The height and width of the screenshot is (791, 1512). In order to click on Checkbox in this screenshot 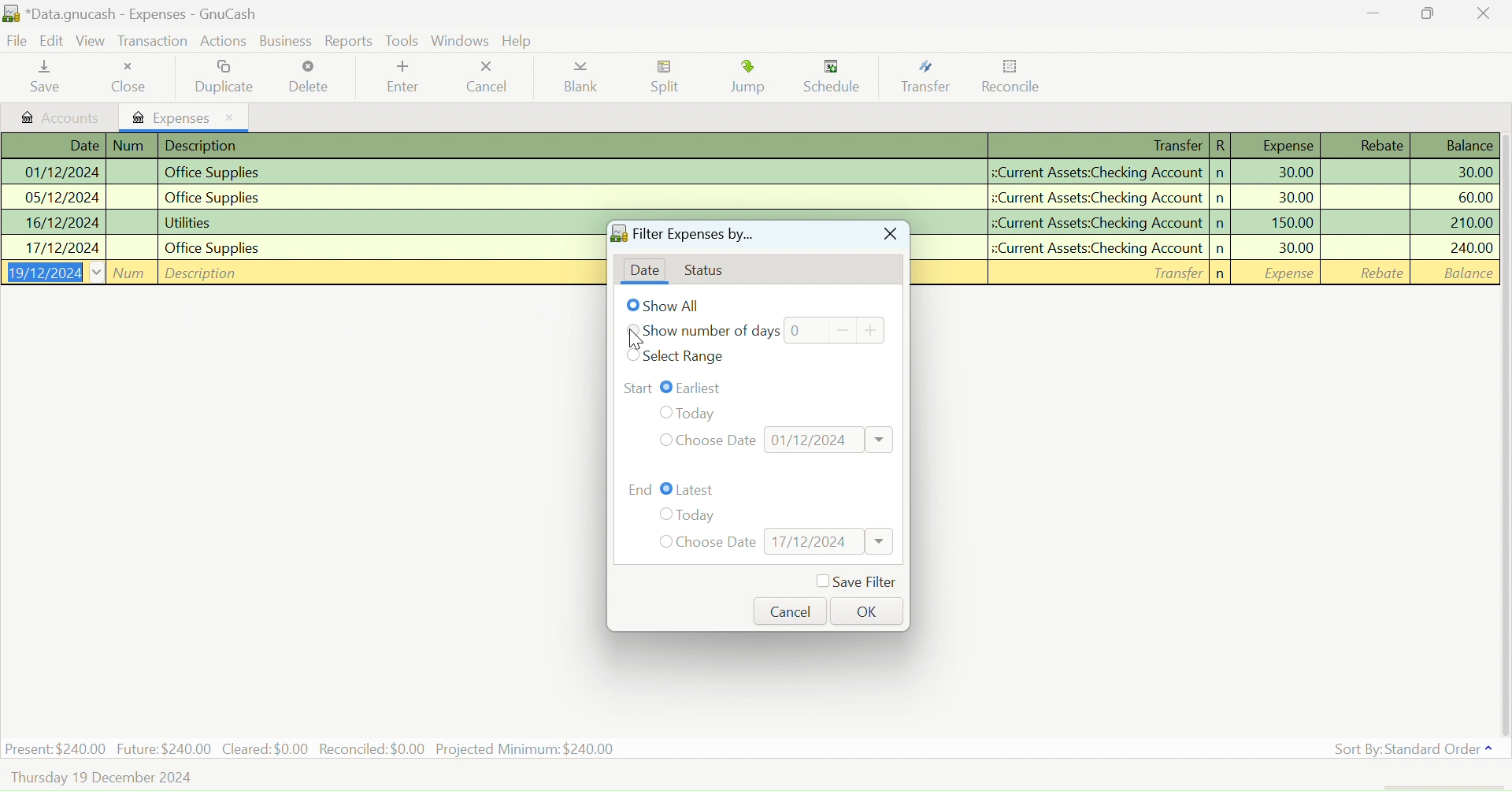, I will do `click(663, 440)`.